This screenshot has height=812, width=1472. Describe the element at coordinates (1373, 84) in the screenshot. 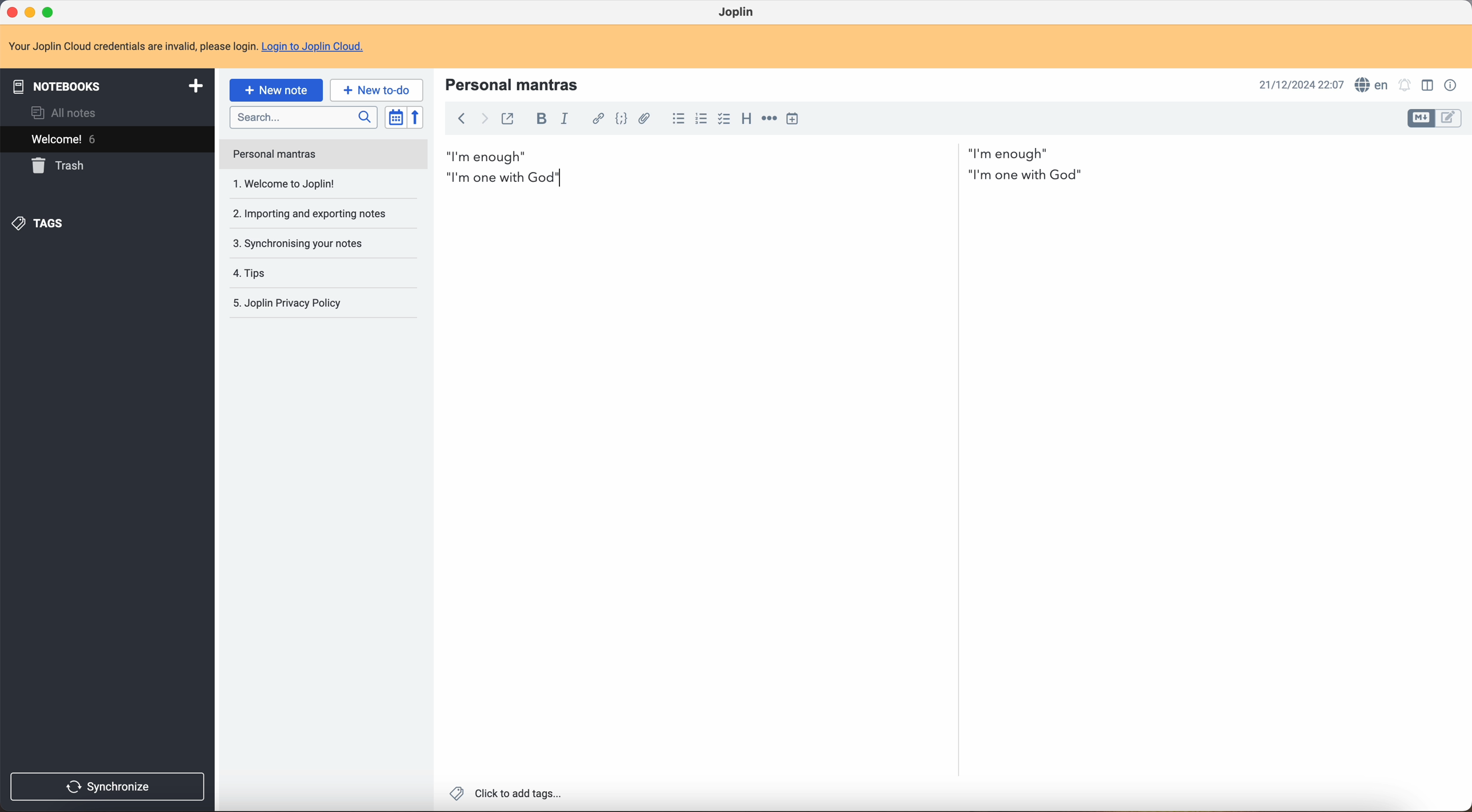

I see `spell checker` at that location.